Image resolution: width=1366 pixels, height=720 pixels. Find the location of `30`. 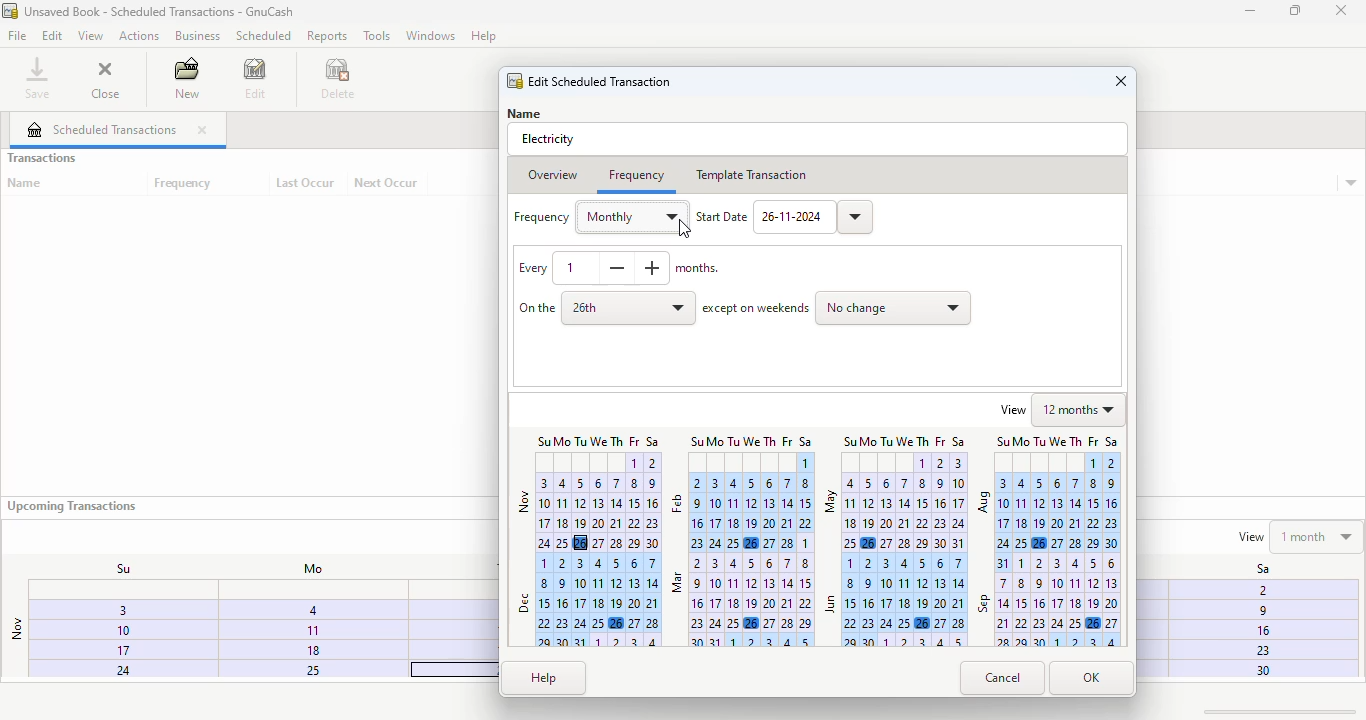

30 is located at coordinates (1260, 671).